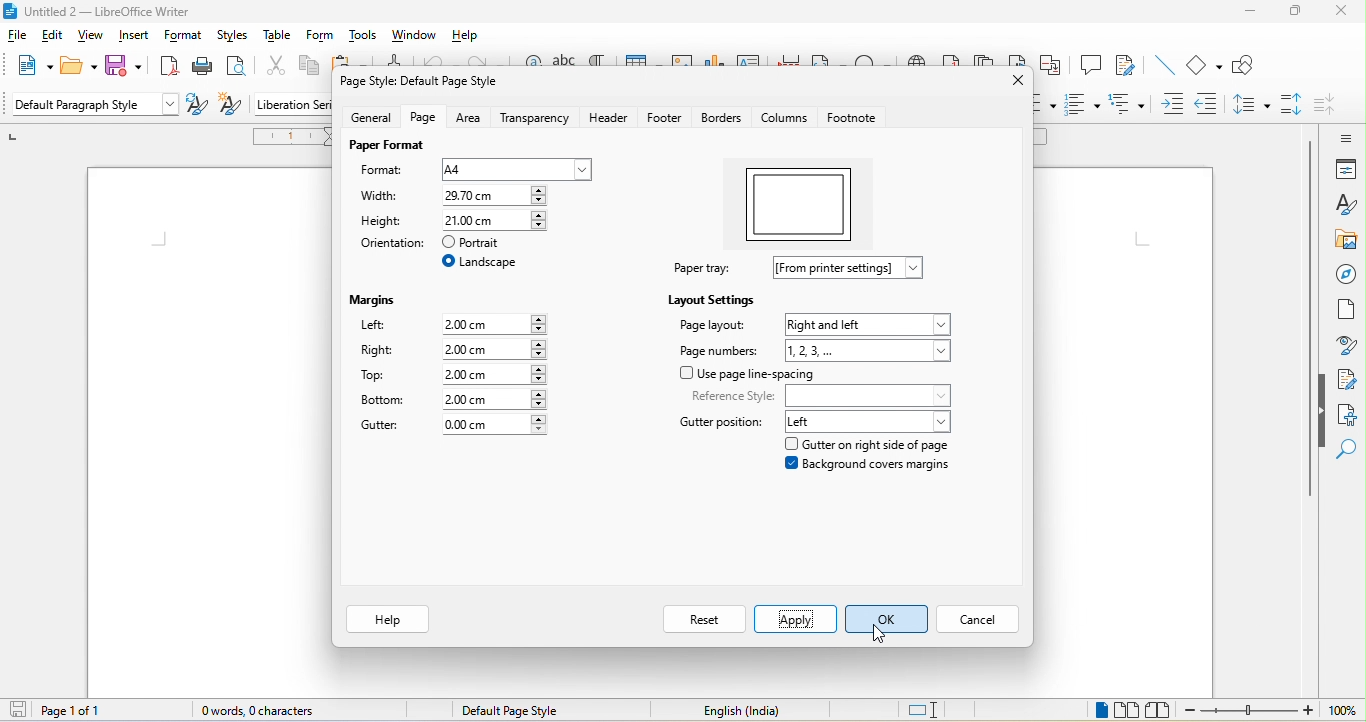 This screenshot has height=722, width=1366. Describe the element at coordinates (498, 399) in the screenshot. I see `2.00 cm` at that location.